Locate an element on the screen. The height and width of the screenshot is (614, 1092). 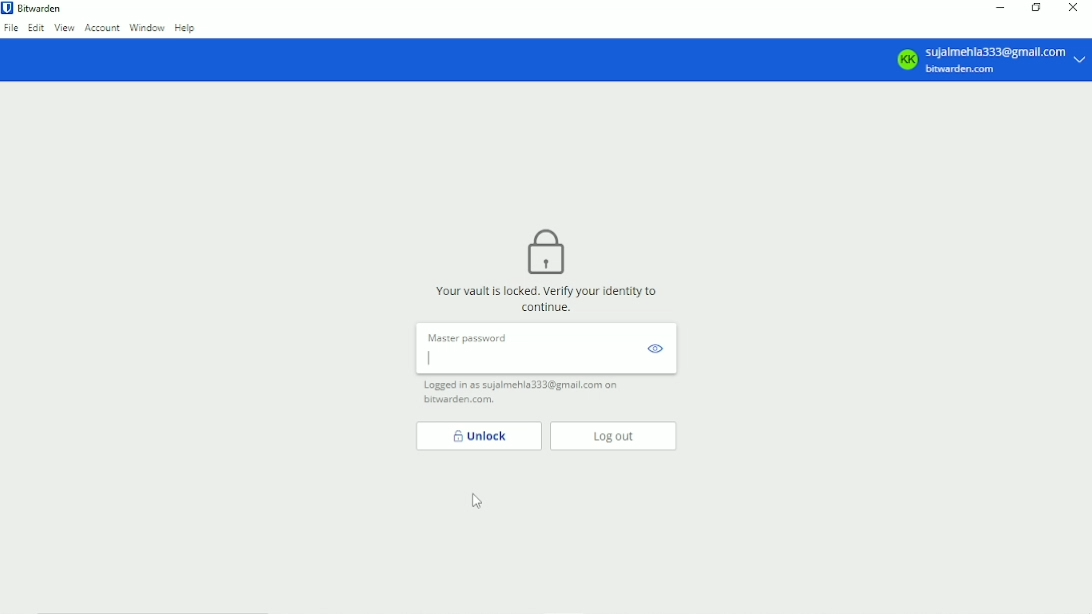
lock image is located at coordinates (545, 252).